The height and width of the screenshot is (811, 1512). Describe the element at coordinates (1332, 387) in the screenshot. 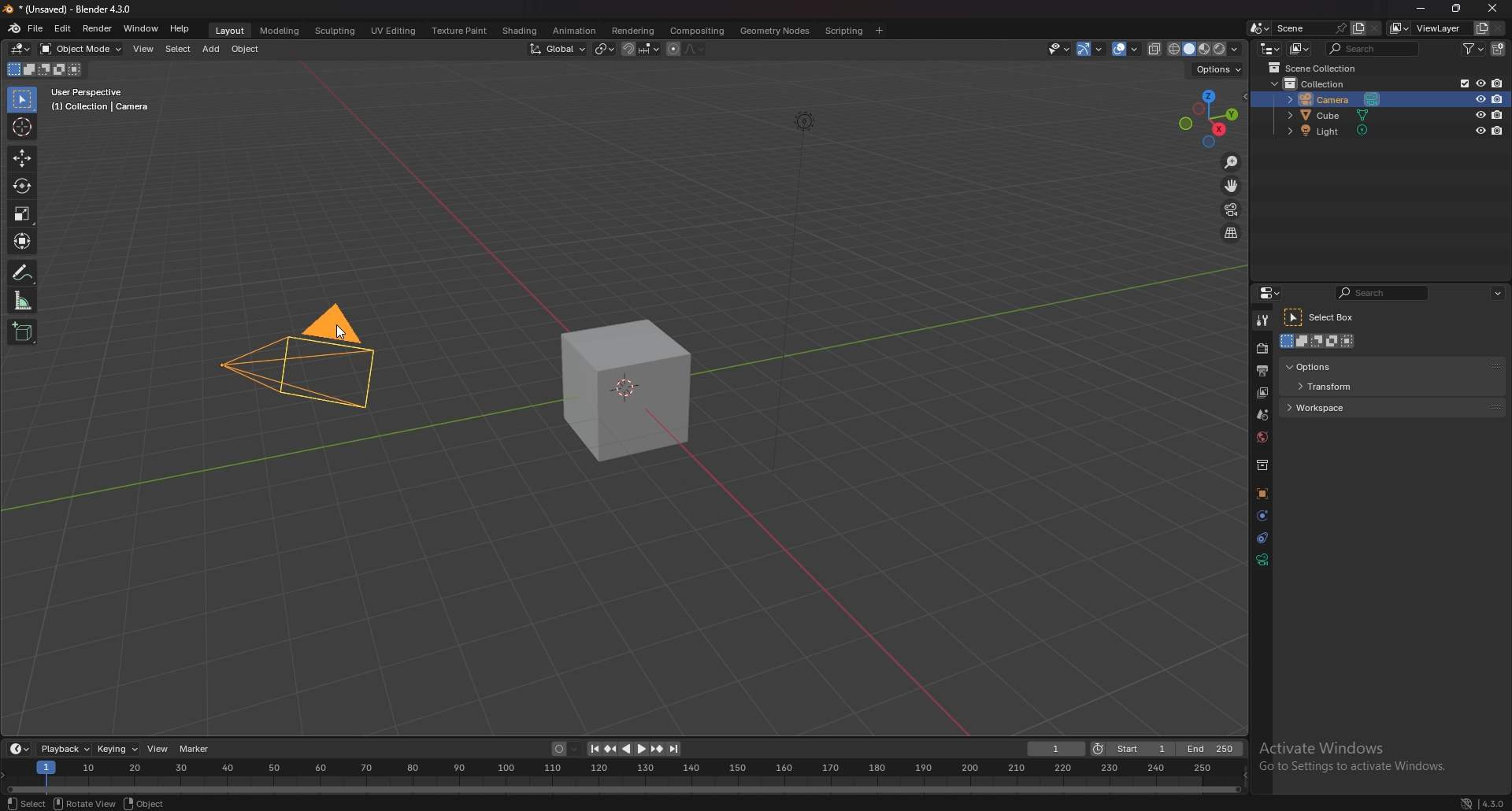

I see `transform` at that location.